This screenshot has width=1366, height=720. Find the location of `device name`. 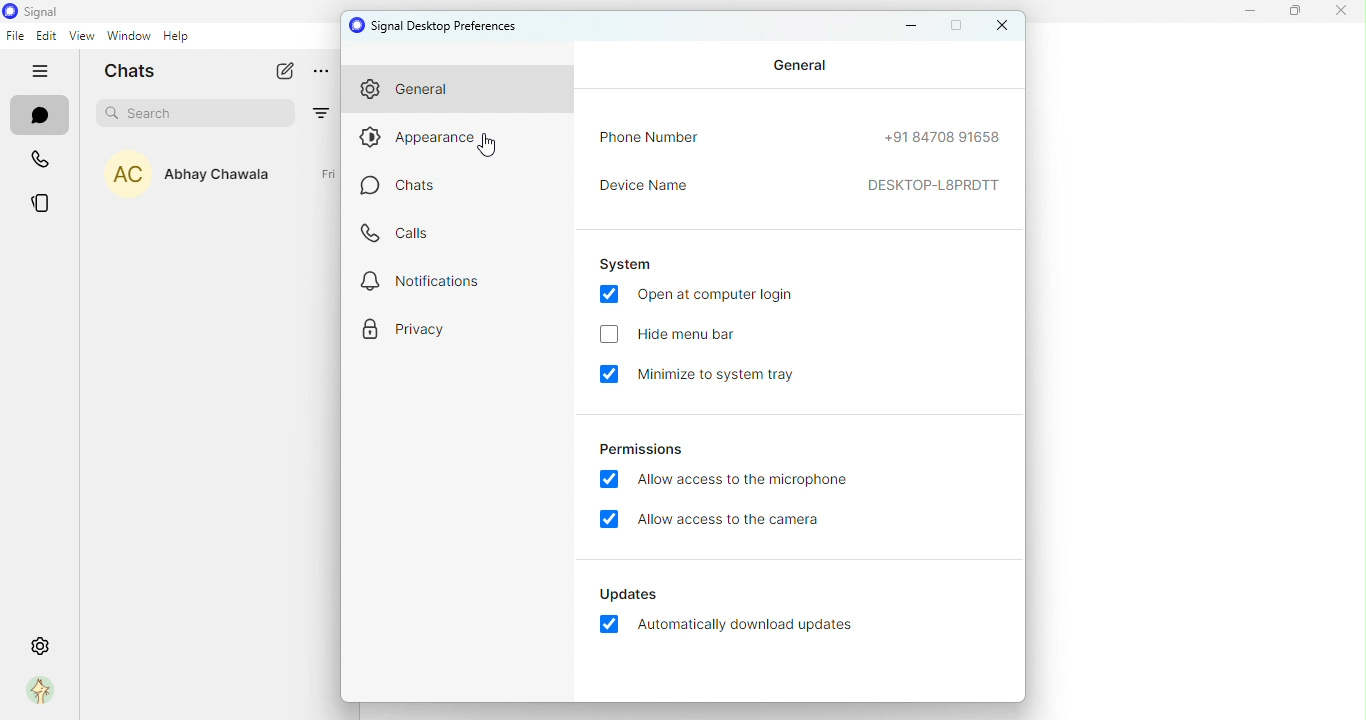

device name is located at coordinates (798, 189).